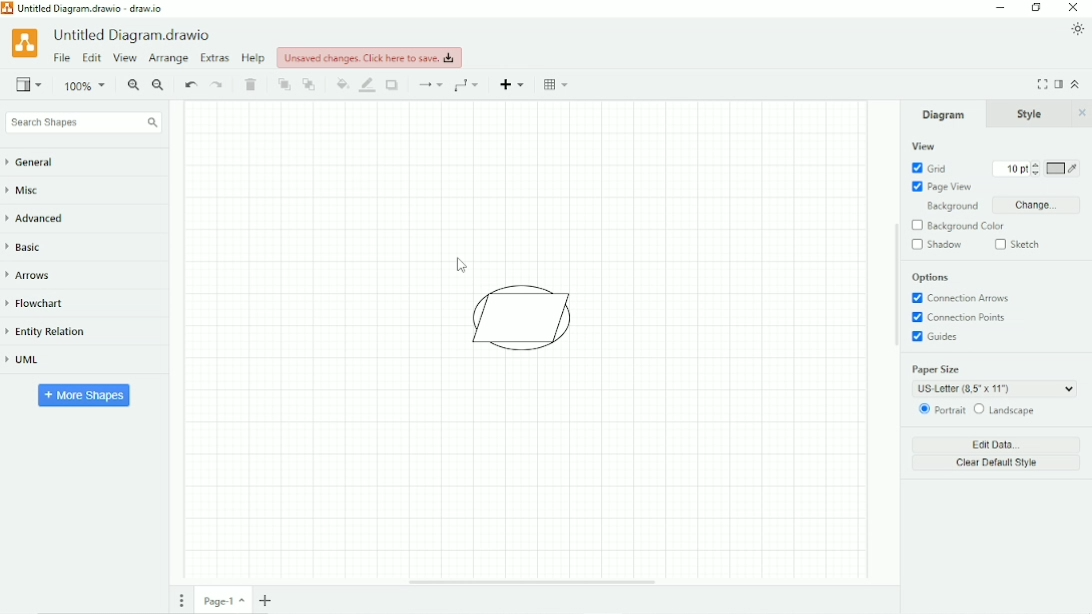 The height and width of the screenshot is (614, 1092). What do you see at coordinates (1036, 8) in the screenshot?
I see `Restore down` at bounding box center [1036, 8].